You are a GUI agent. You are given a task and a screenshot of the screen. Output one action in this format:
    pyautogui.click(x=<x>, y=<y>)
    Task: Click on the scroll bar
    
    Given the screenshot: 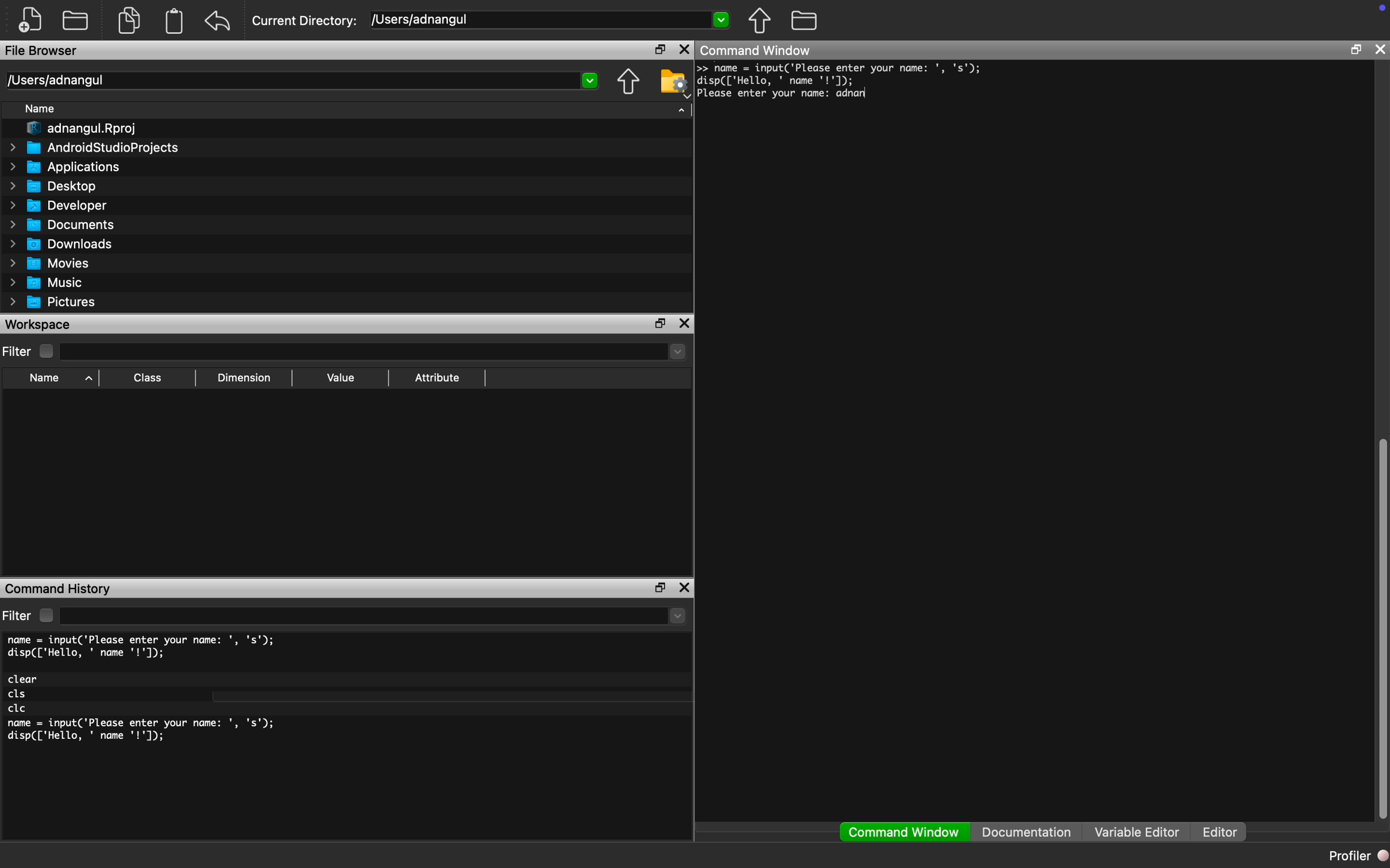 What is the action you would take?
    pyautogui.click(x=1381, y=625)
    